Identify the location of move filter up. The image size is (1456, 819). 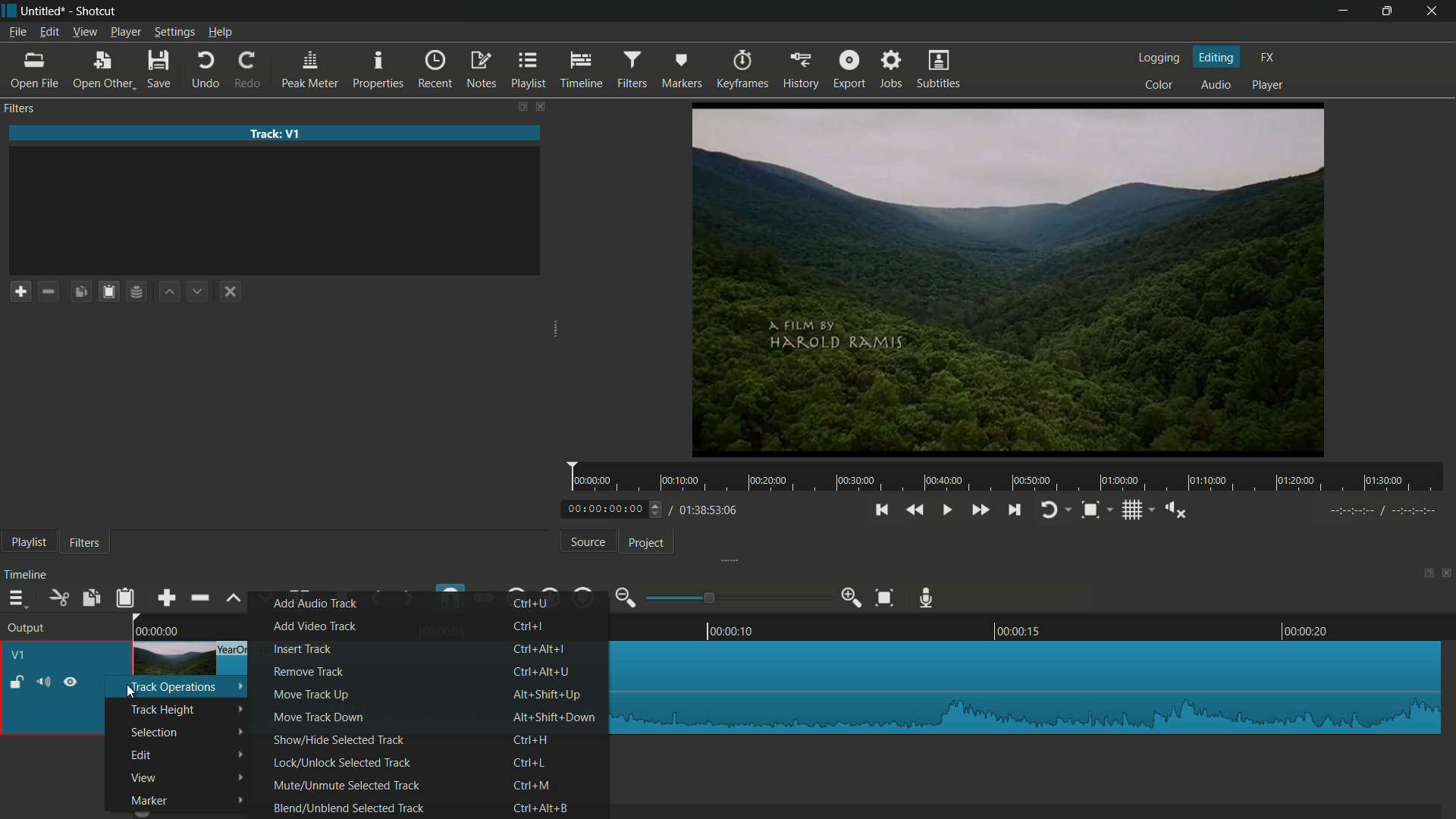
(169, 293).